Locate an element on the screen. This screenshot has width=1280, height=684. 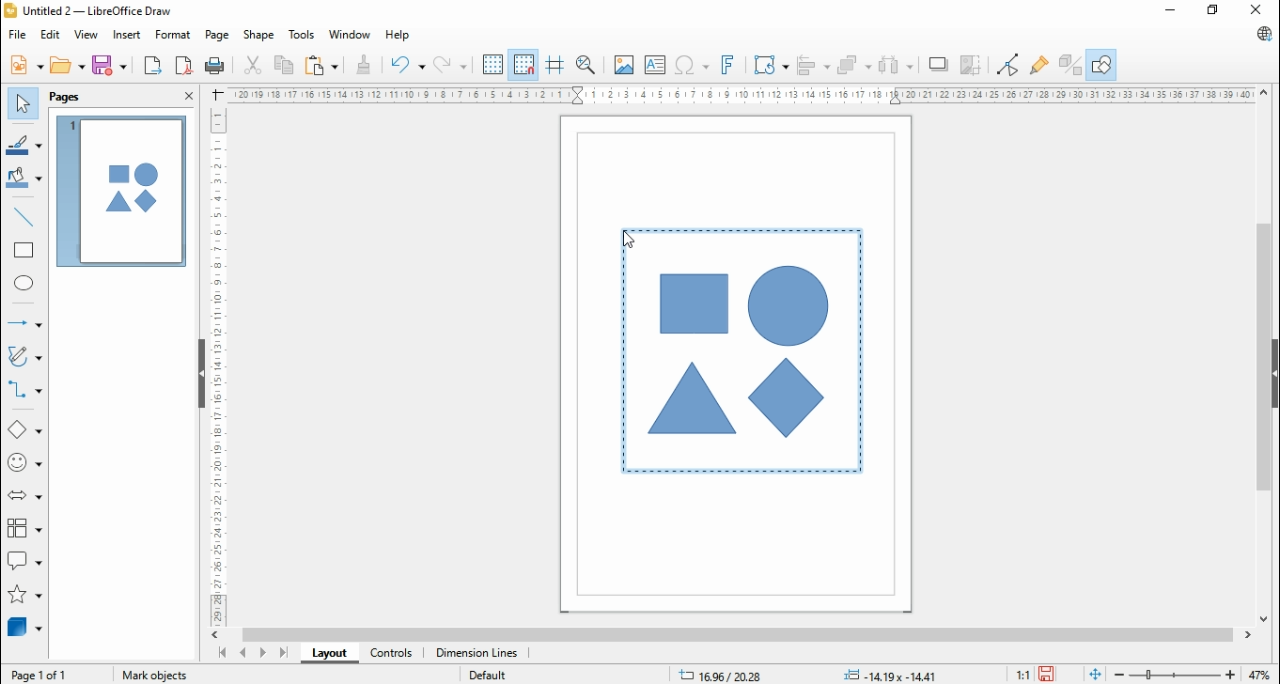
insert special characters is located at coordinates (691, 64).